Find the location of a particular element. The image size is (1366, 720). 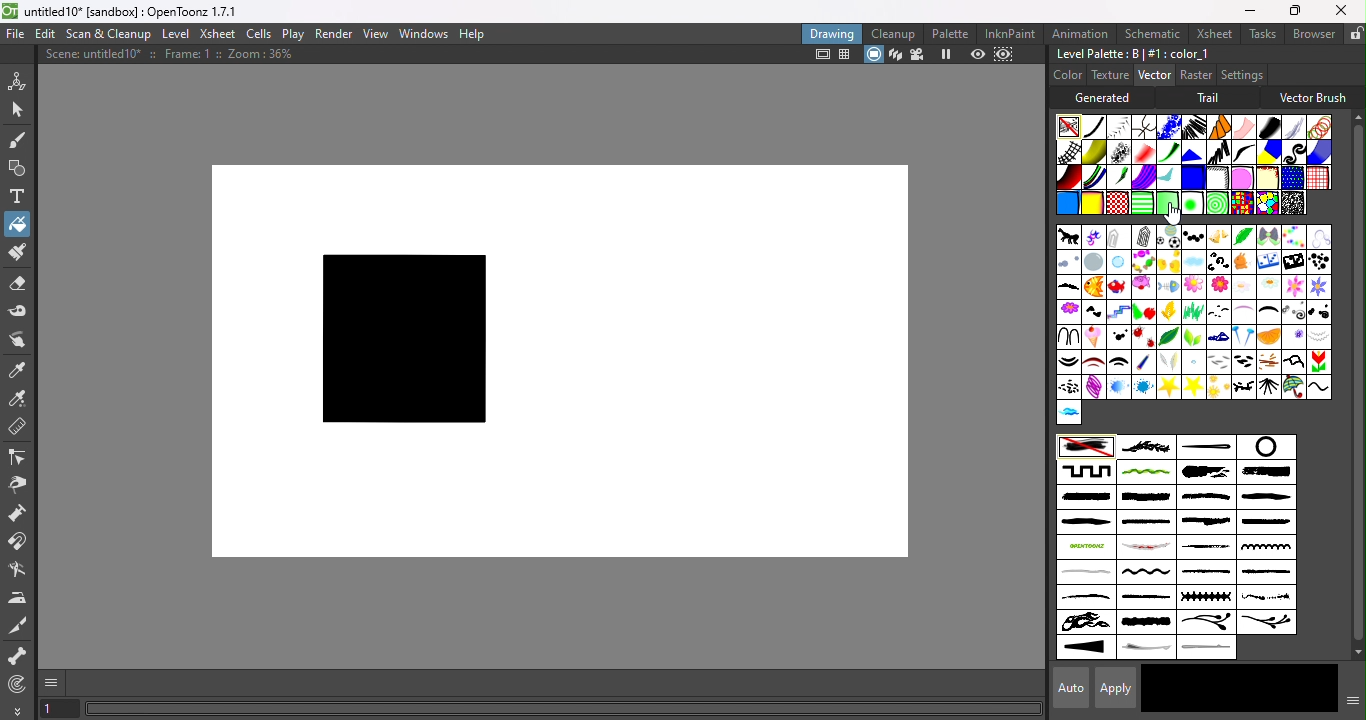

black rectangle is located at coordinates (399, 342).